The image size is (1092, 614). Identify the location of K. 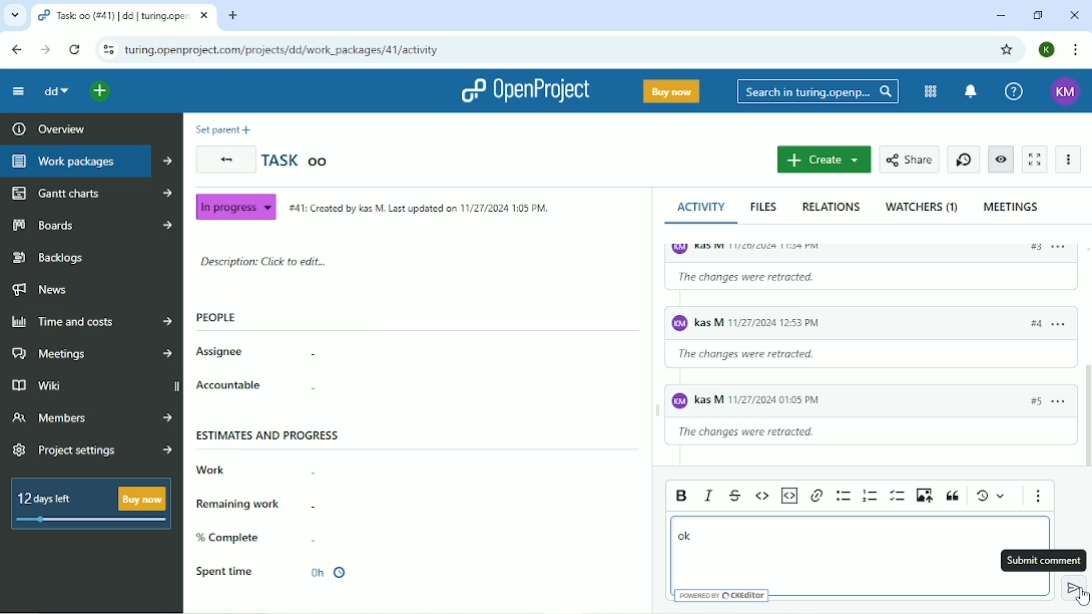
(1047, 49).